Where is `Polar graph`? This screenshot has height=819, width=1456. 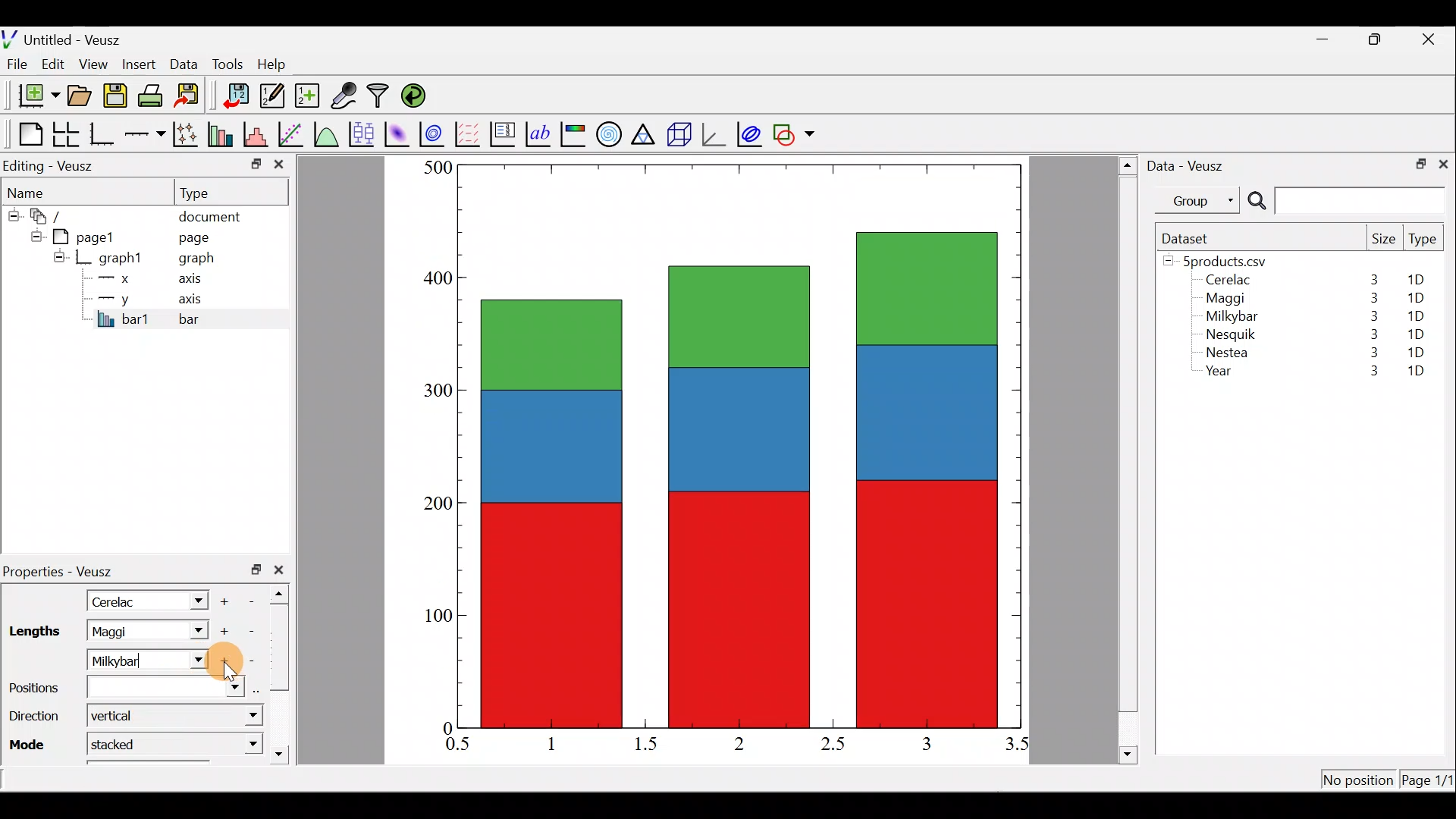 Polar graph is located at coordinates (606, 132).